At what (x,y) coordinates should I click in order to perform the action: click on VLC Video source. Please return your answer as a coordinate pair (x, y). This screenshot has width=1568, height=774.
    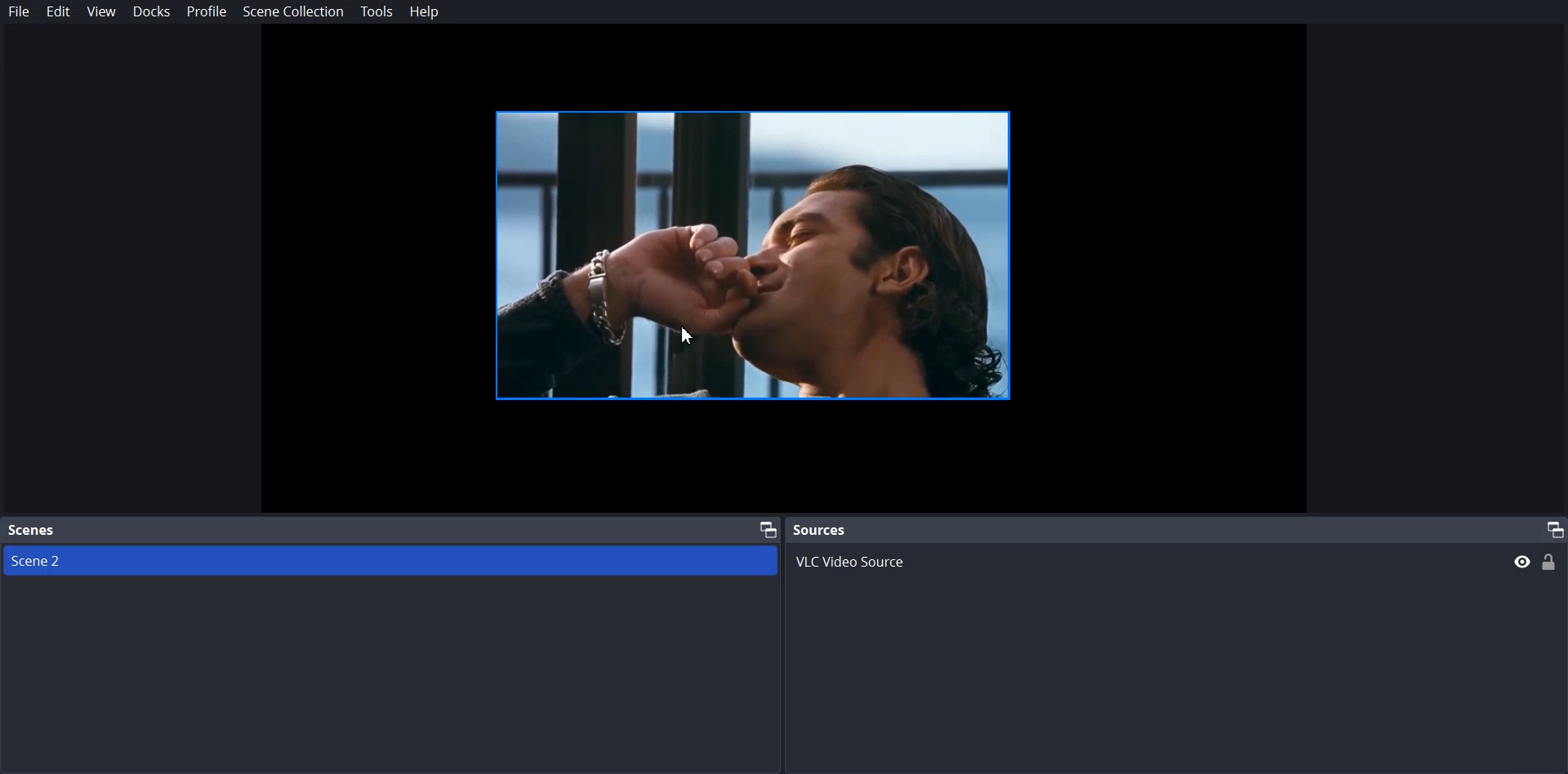
    Looking at the image, I should click on (1139, 559).